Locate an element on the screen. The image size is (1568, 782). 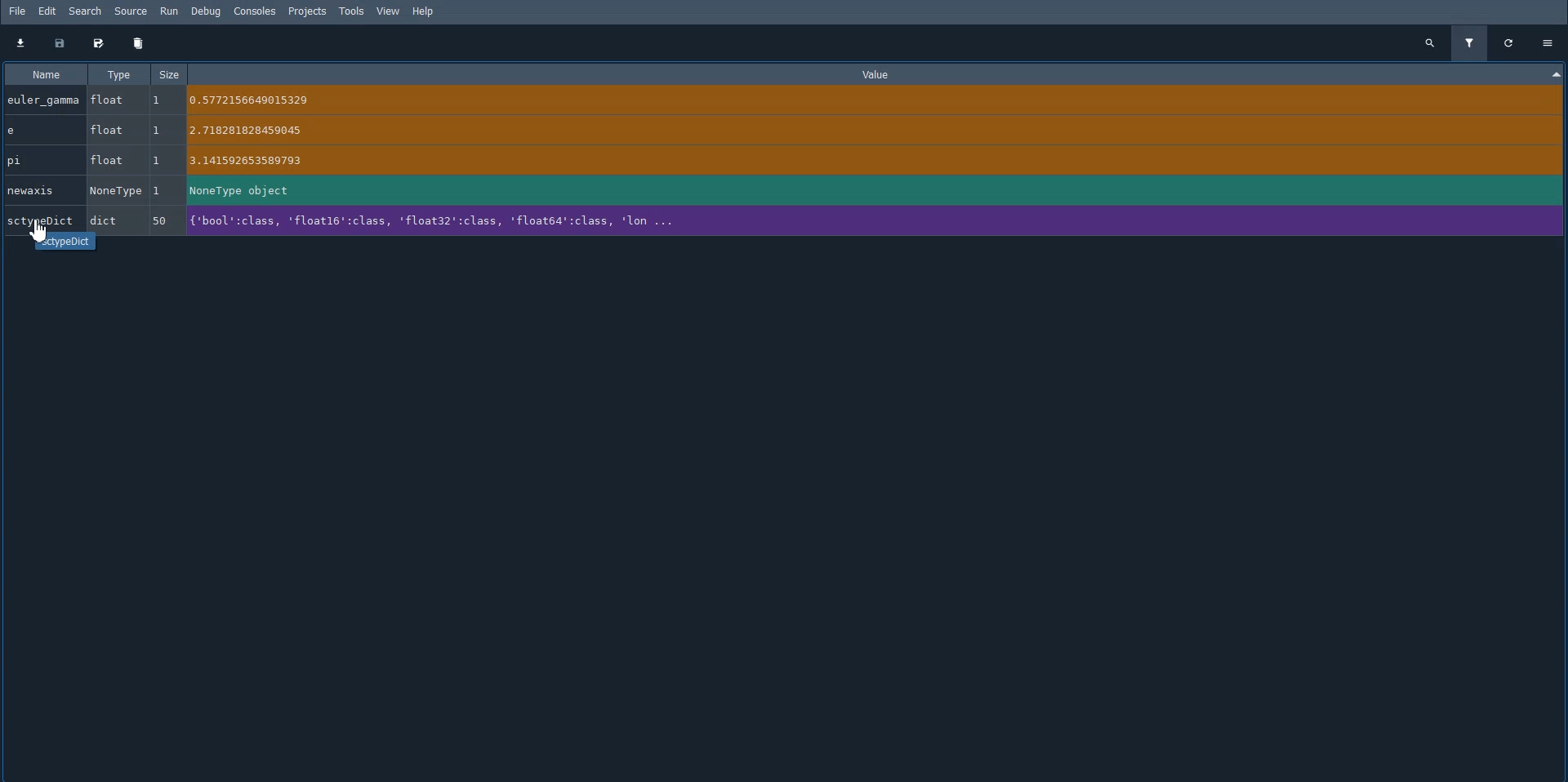
Remove all variables is located at coordinates (138, 44).